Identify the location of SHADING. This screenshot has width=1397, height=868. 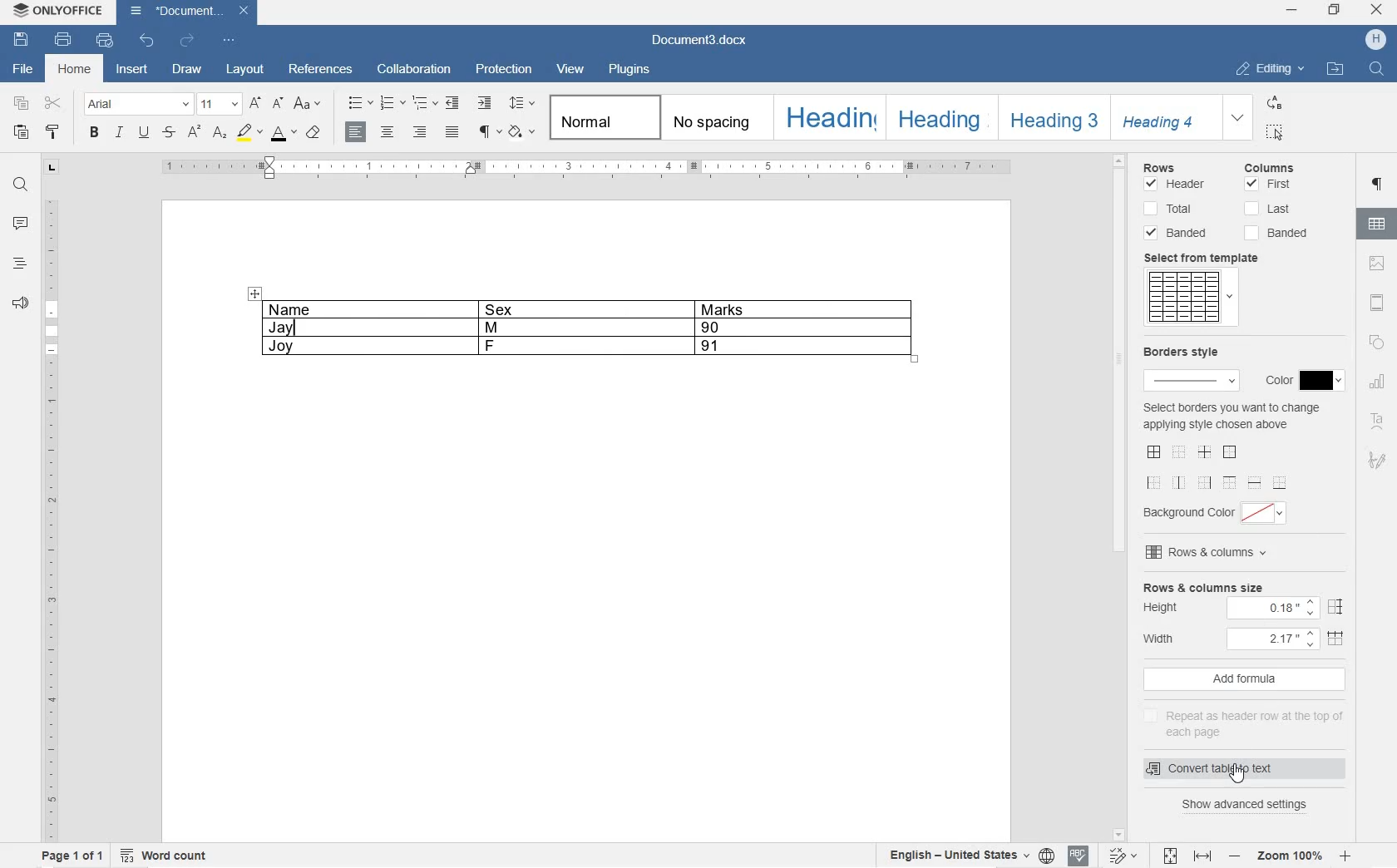
(521, 131).